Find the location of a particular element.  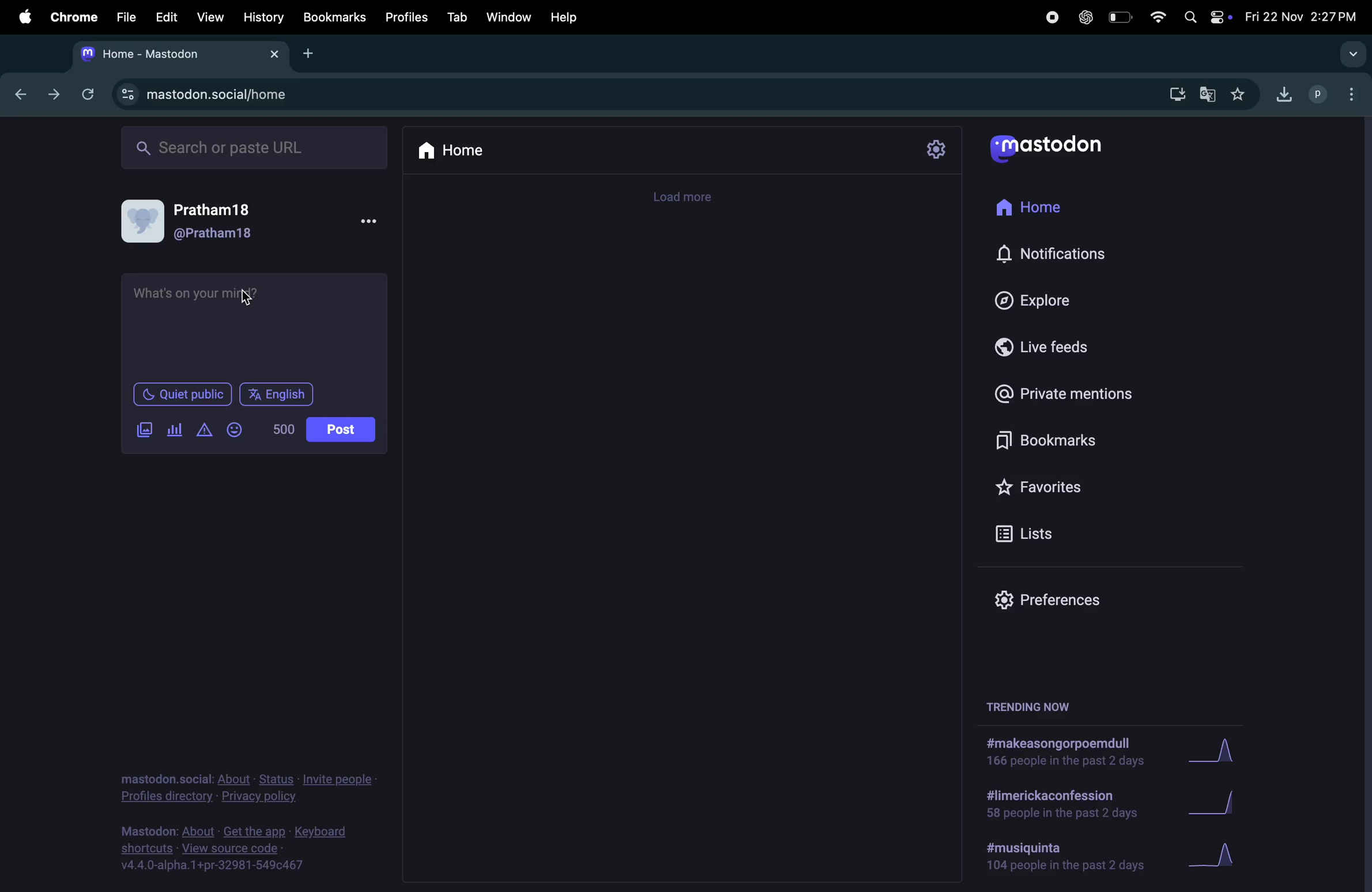

search ba is located at coordinates (253, 147).